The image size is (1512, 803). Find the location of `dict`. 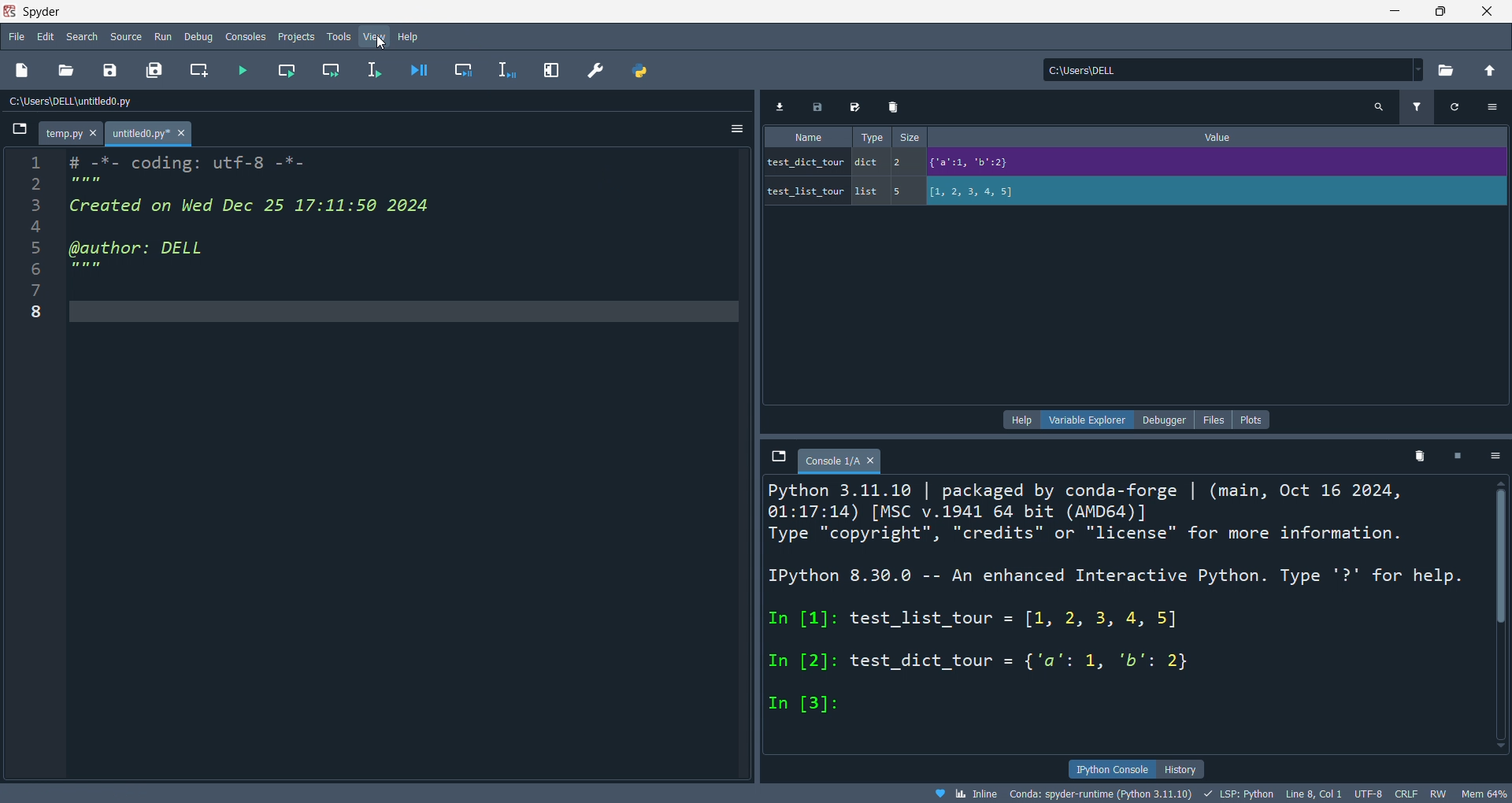

dict is located at coordinates (870, 165).